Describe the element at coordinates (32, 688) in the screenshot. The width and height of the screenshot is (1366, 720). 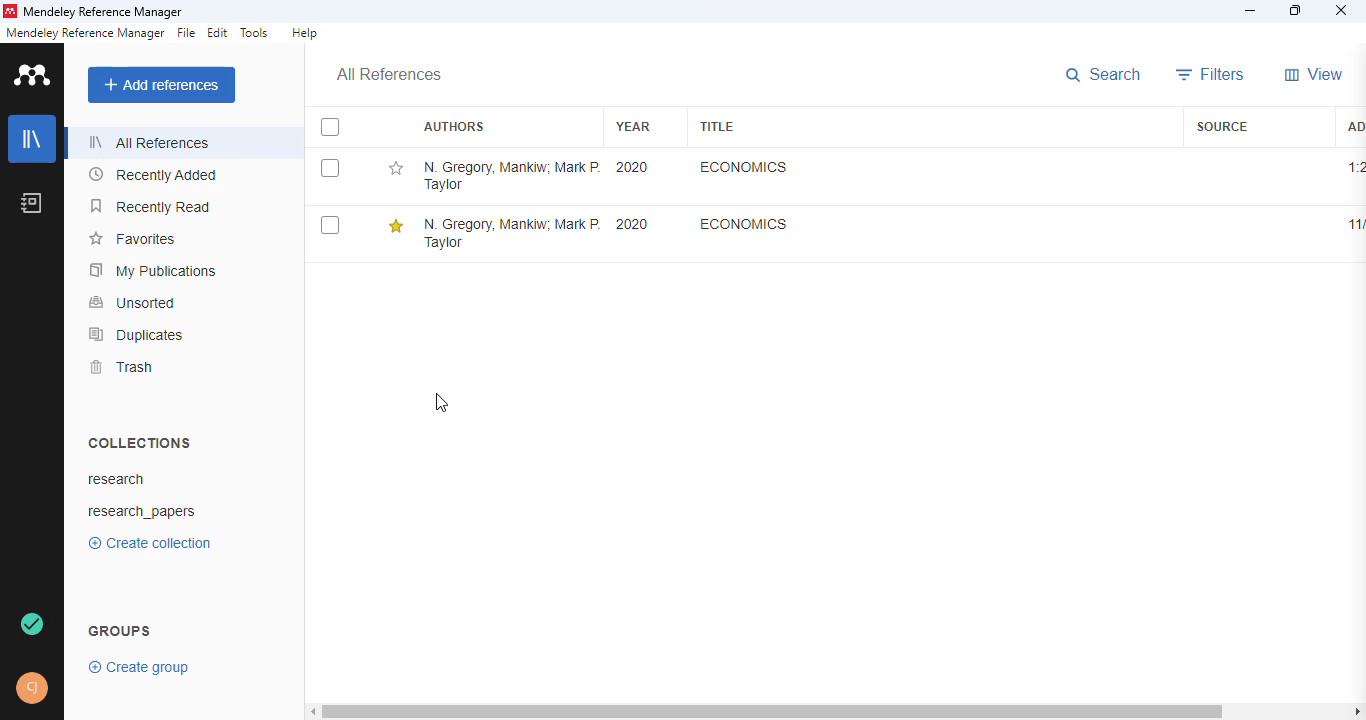
I see `profile` at that location.